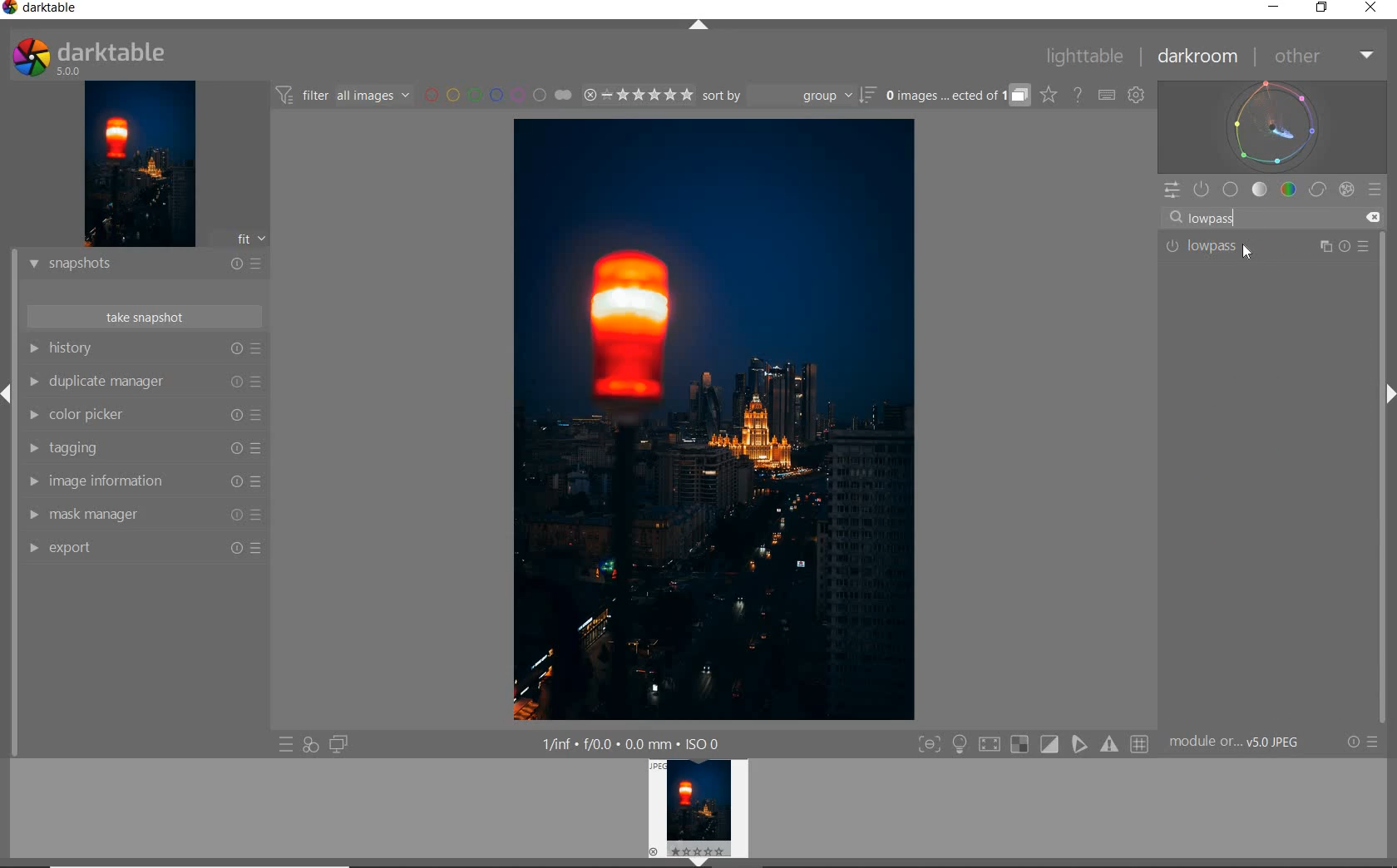 This screenshot has height=868, width=1397. What do you see at coordinates (718, 422) in the screenshot?
I see `SELECTED IMAGE` at bounding box center [718, 422].